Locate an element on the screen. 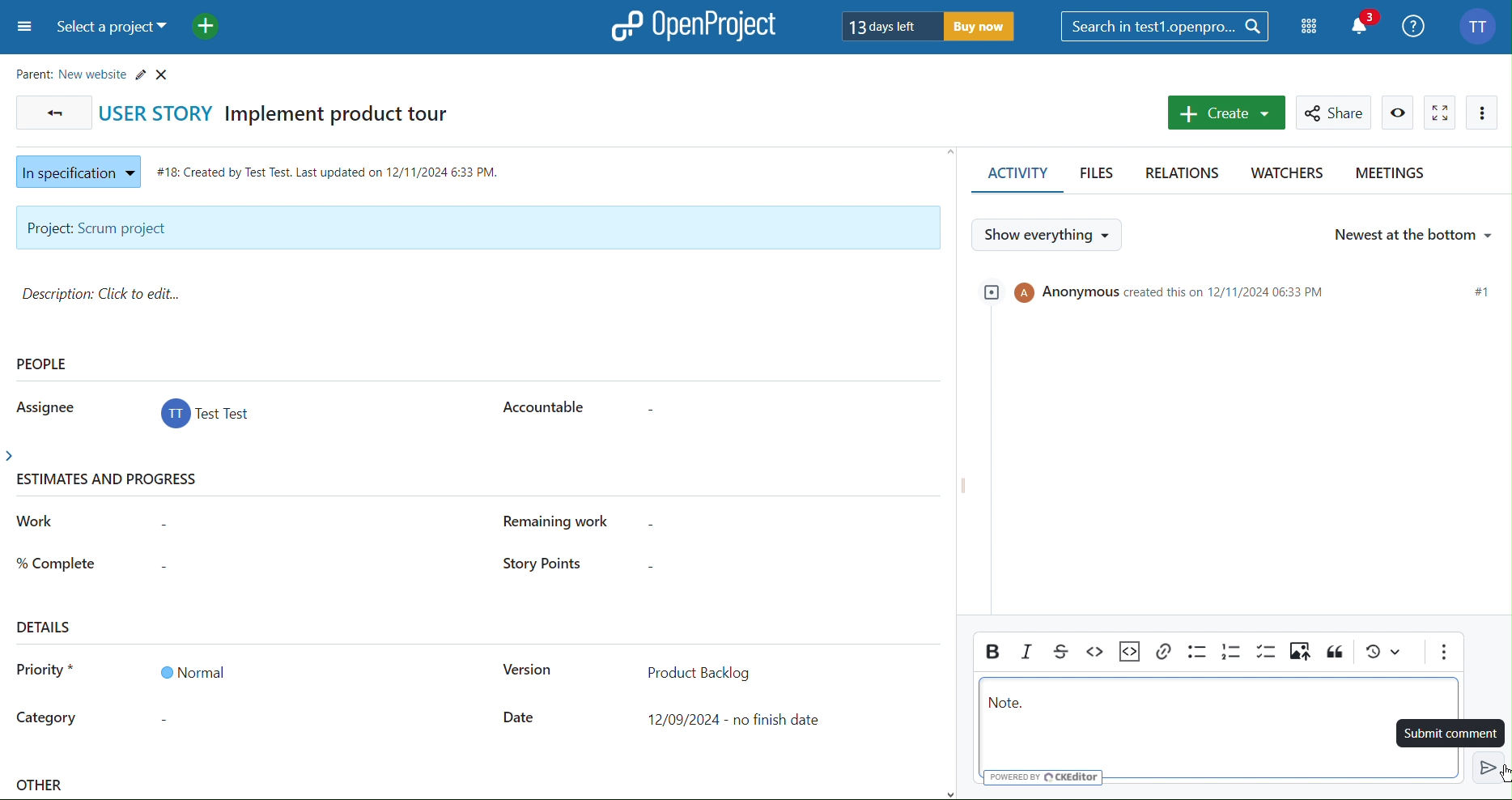 This screenshot has width=1512, height=800. submit comment is located at coordinates (1451, 730).